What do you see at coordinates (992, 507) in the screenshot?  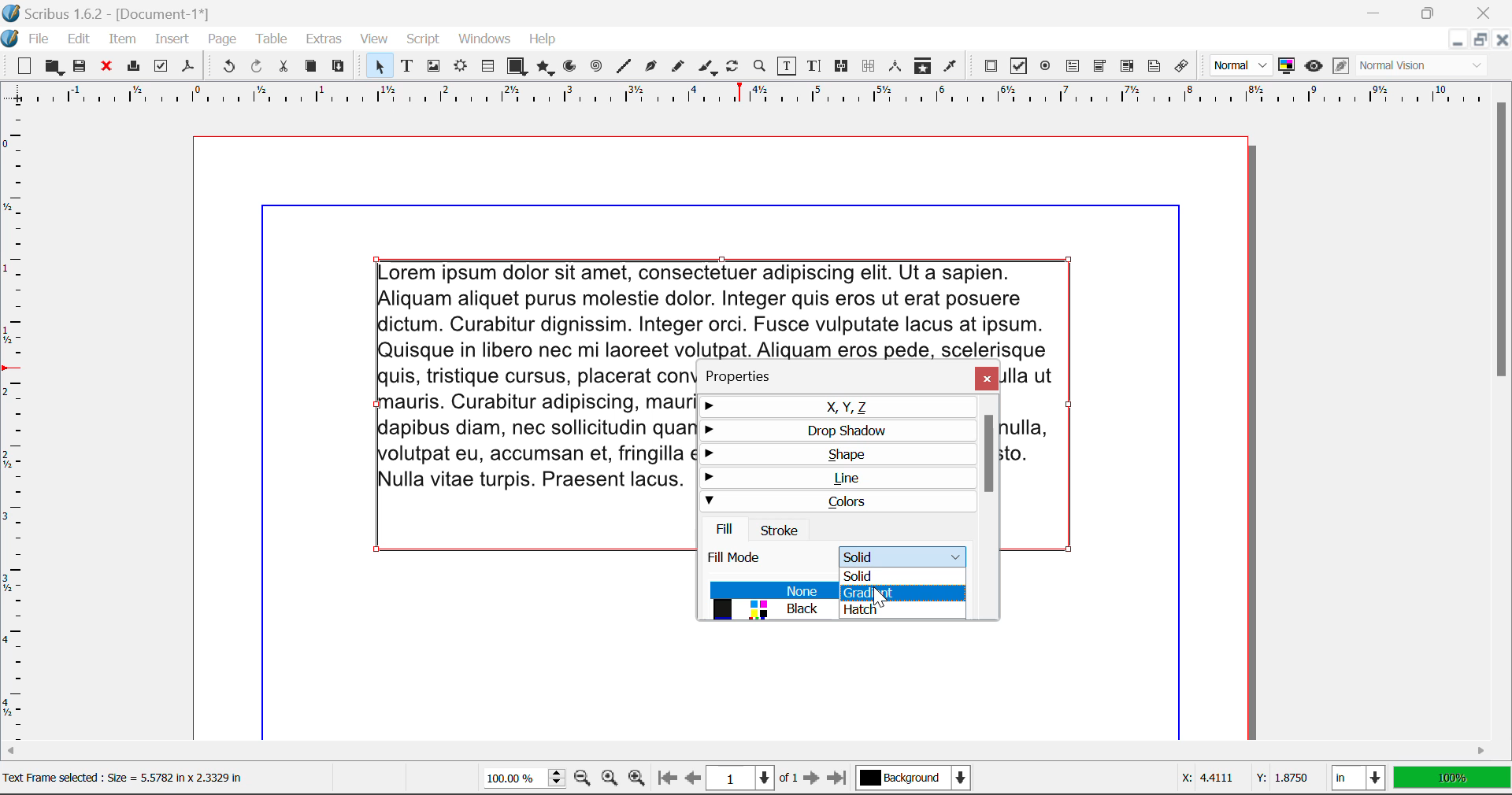 I see `Scroll Bar` at bounding box center [992, 507].